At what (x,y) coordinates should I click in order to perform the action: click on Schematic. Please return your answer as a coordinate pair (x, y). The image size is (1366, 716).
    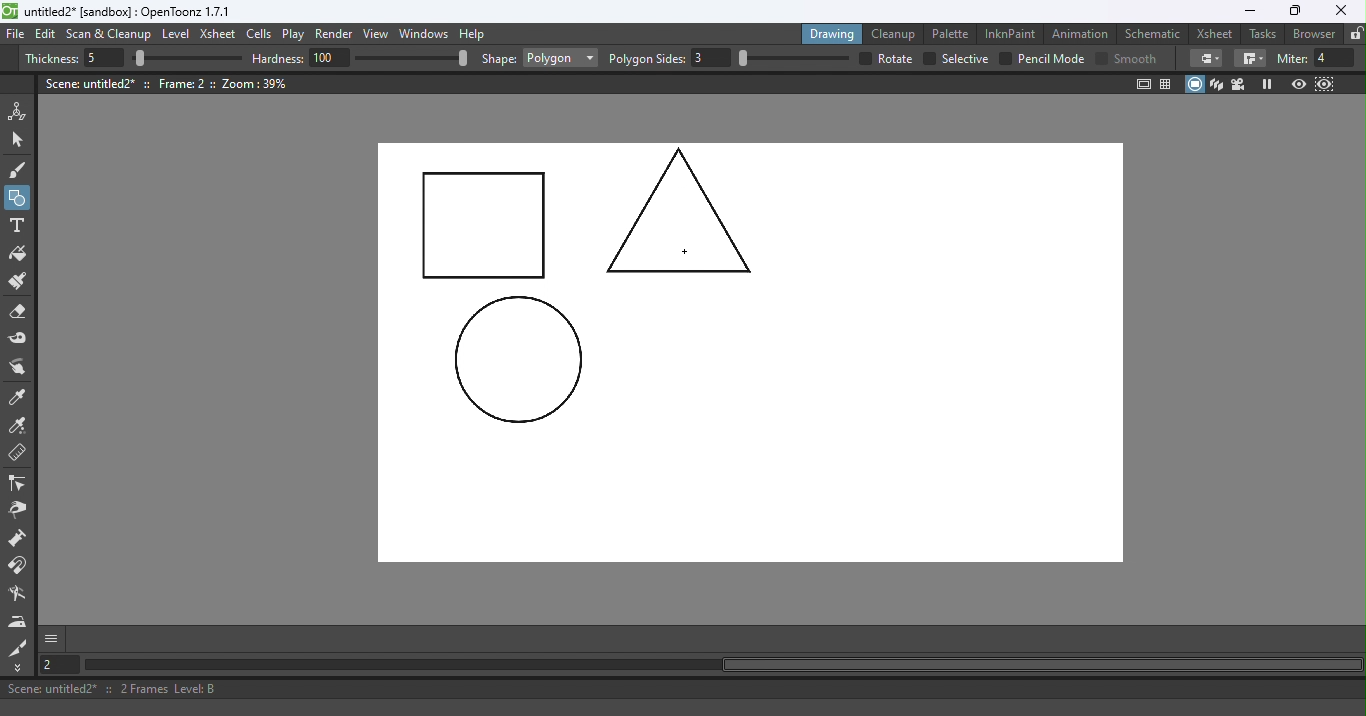
    Looking at the image, I should click on (1153, 34).